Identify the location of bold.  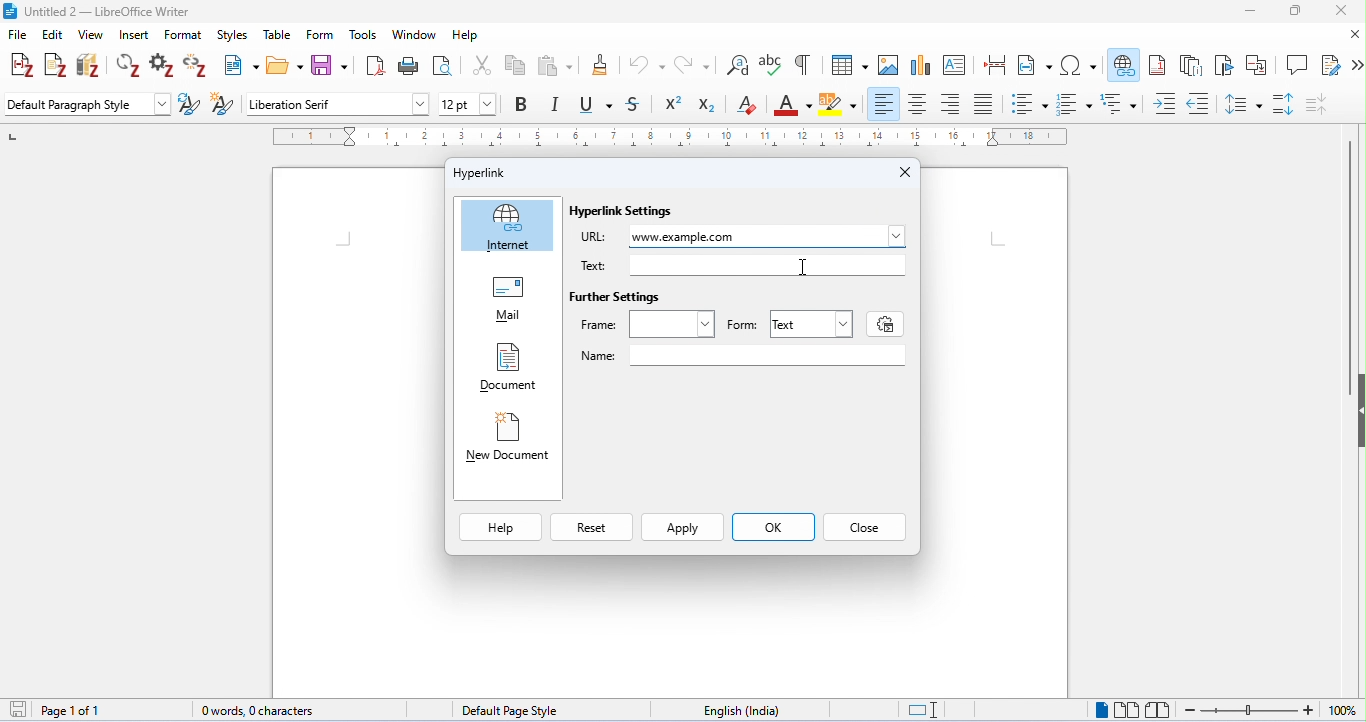
(522, 104).